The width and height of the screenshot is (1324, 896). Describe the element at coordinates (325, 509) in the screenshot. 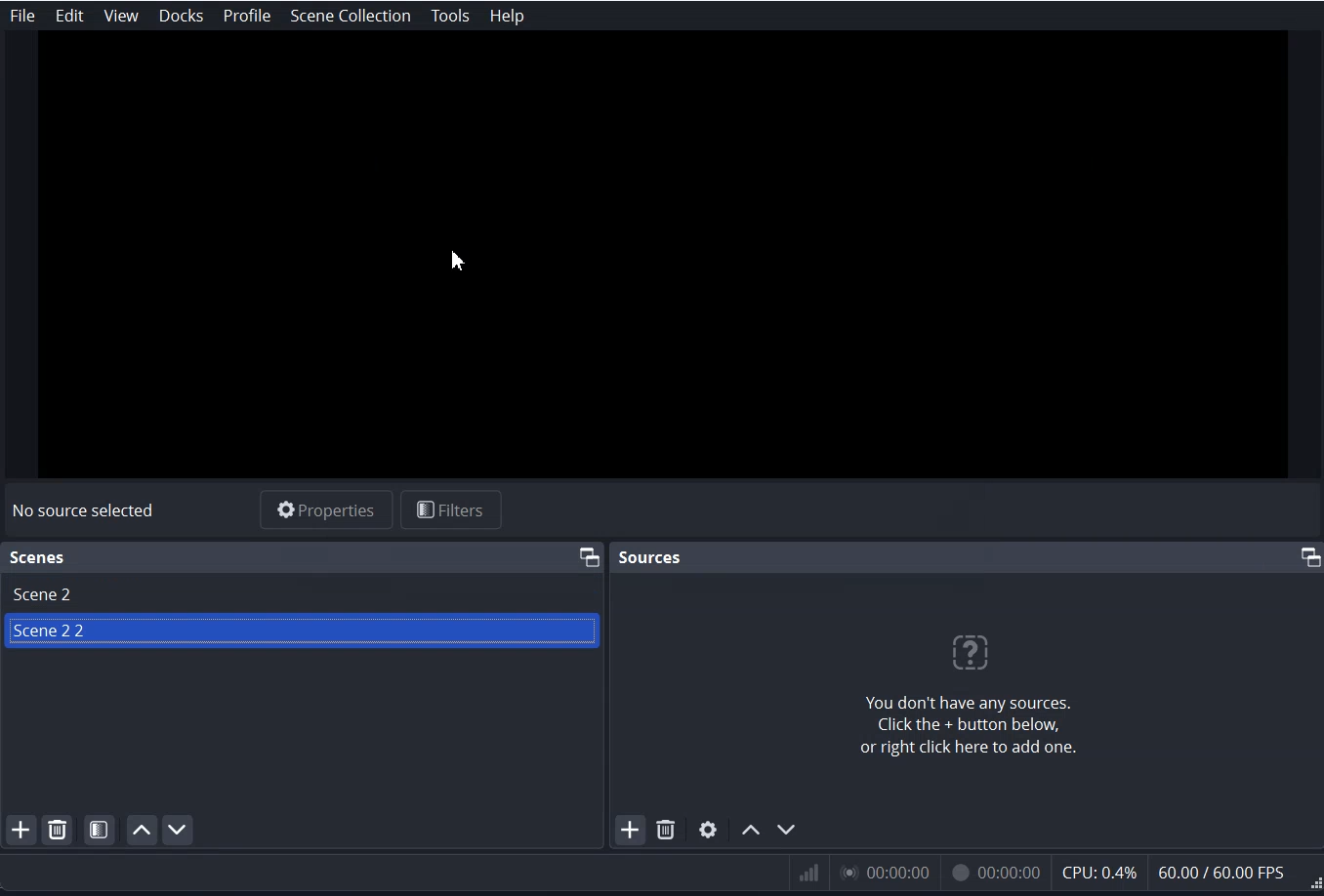

I see `Properties` at that location.